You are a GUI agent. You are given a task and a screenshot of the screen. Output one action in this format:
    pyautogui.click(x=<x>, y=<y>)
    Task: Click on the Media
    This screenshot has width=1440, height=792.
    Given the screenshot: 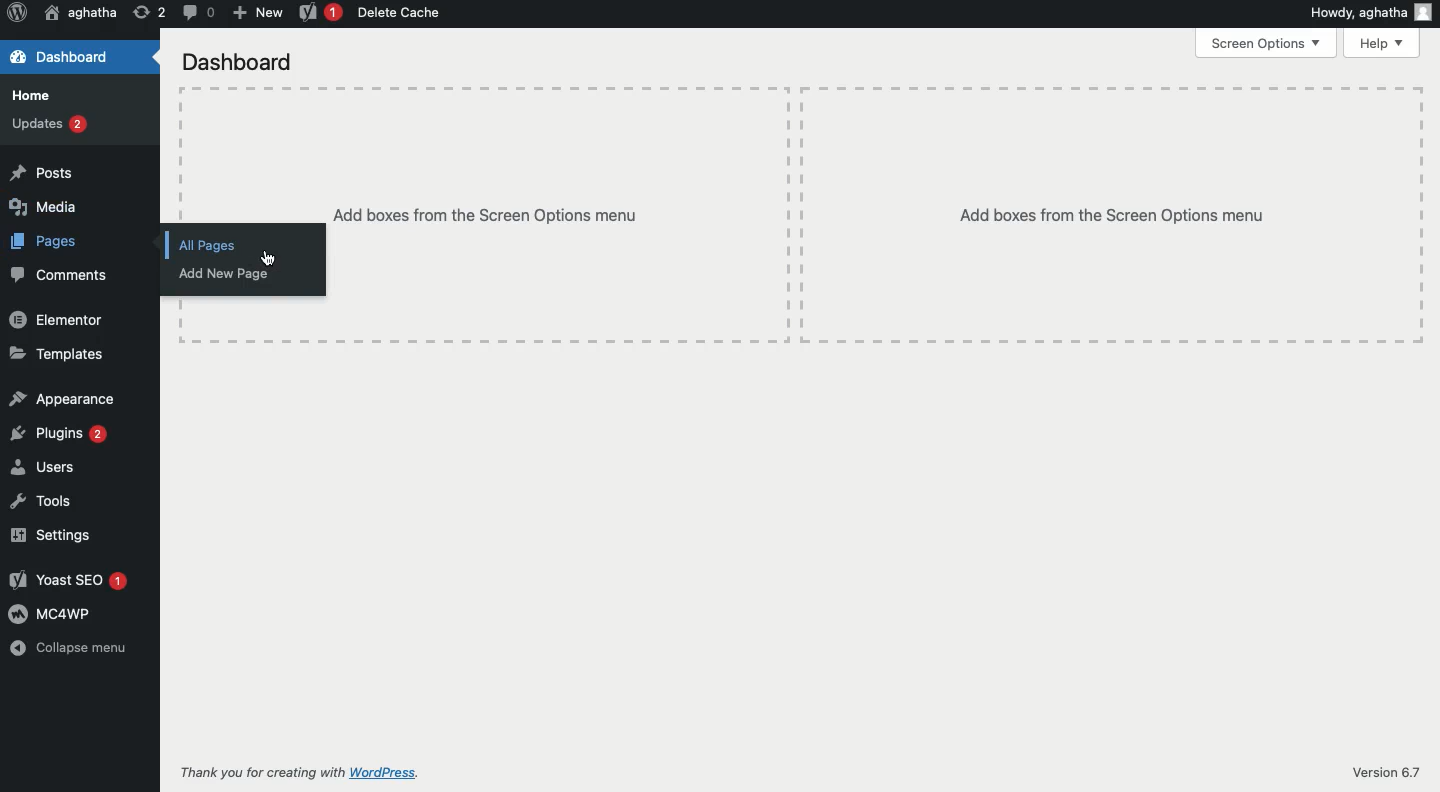 What is the action you would take?
    pyautogui.click(x=43, y=208)
    